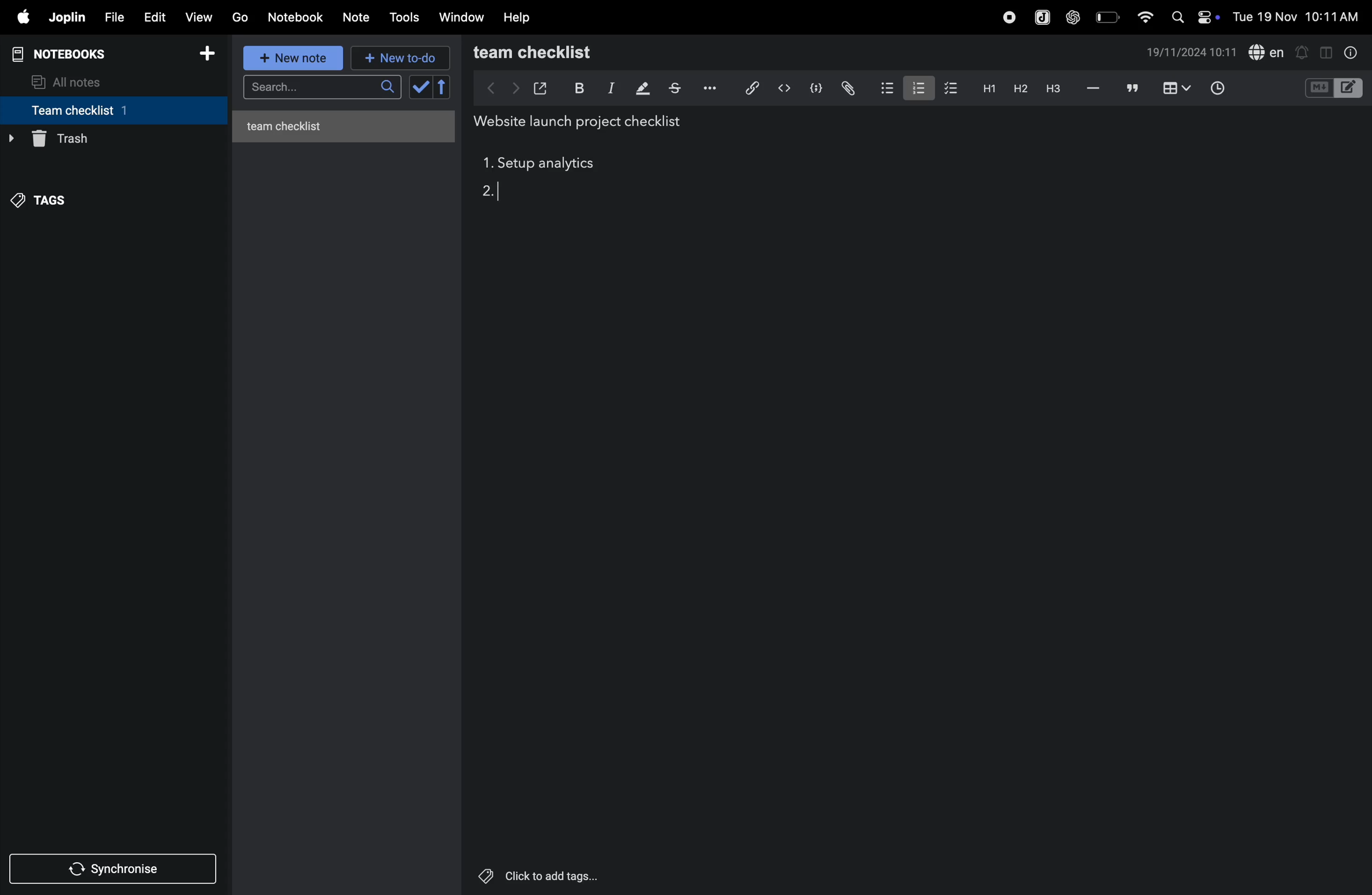 The width and height of the screenshot is (1372, 895). Describe the element at coordinates (816, 87) in the screenshot. I see `code block` at that location.